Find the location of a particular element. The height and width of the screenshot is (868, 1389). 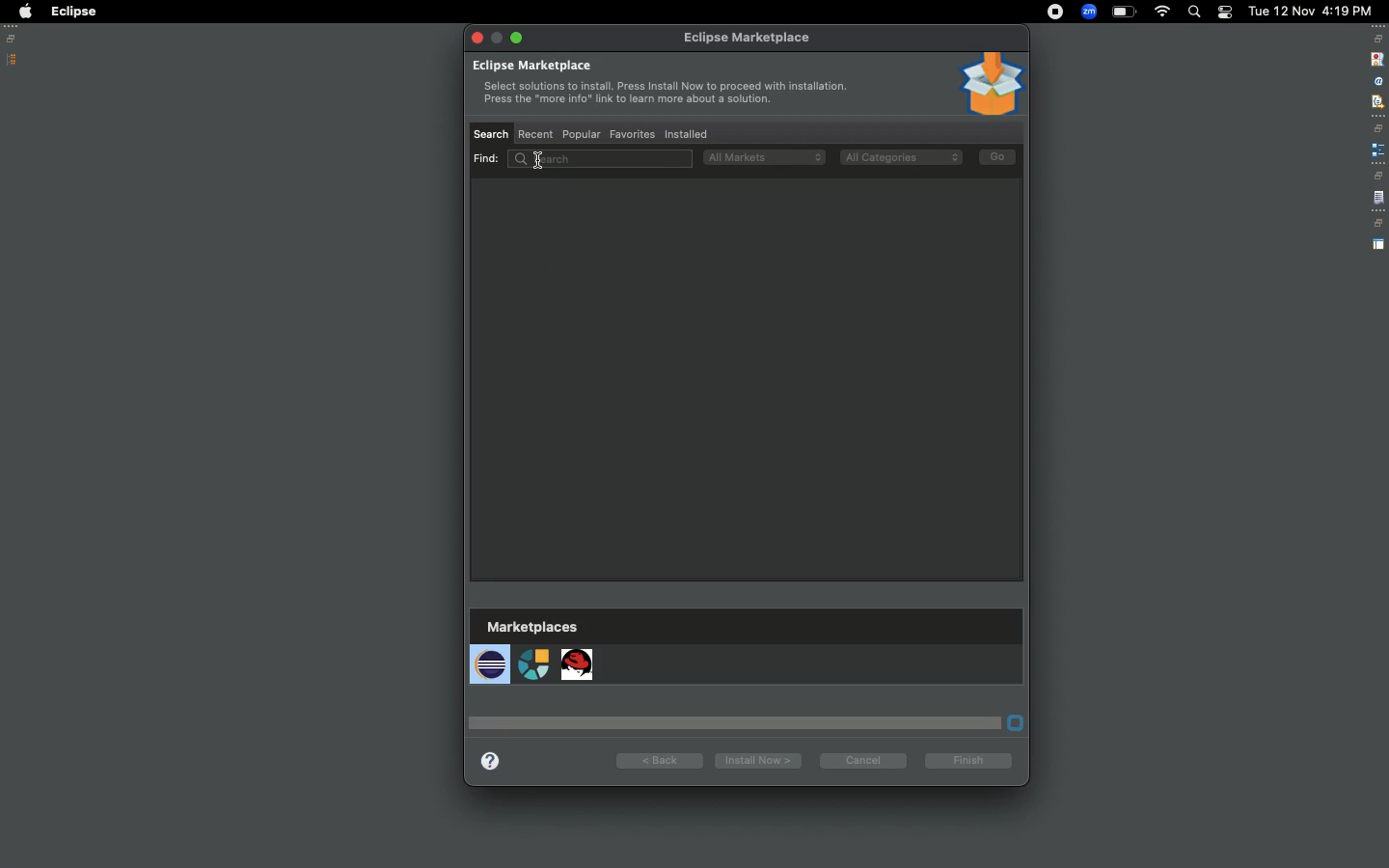

Finish  is located at coordinates (971, 760).